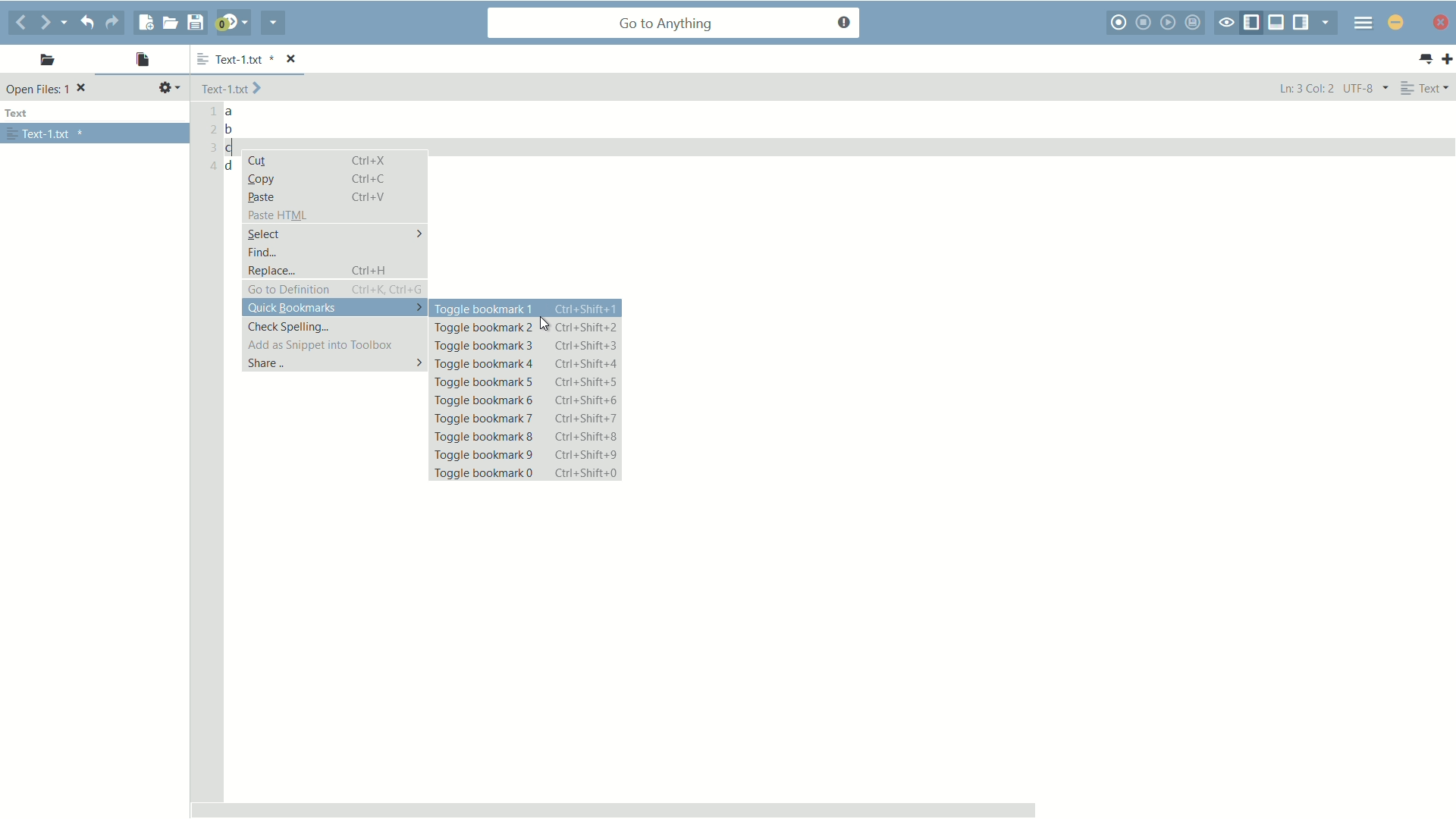  What do you see at coordinates (1227, 24) in the screenshot?
I see `toggle focus mode` at bounding box center [1227, 24].